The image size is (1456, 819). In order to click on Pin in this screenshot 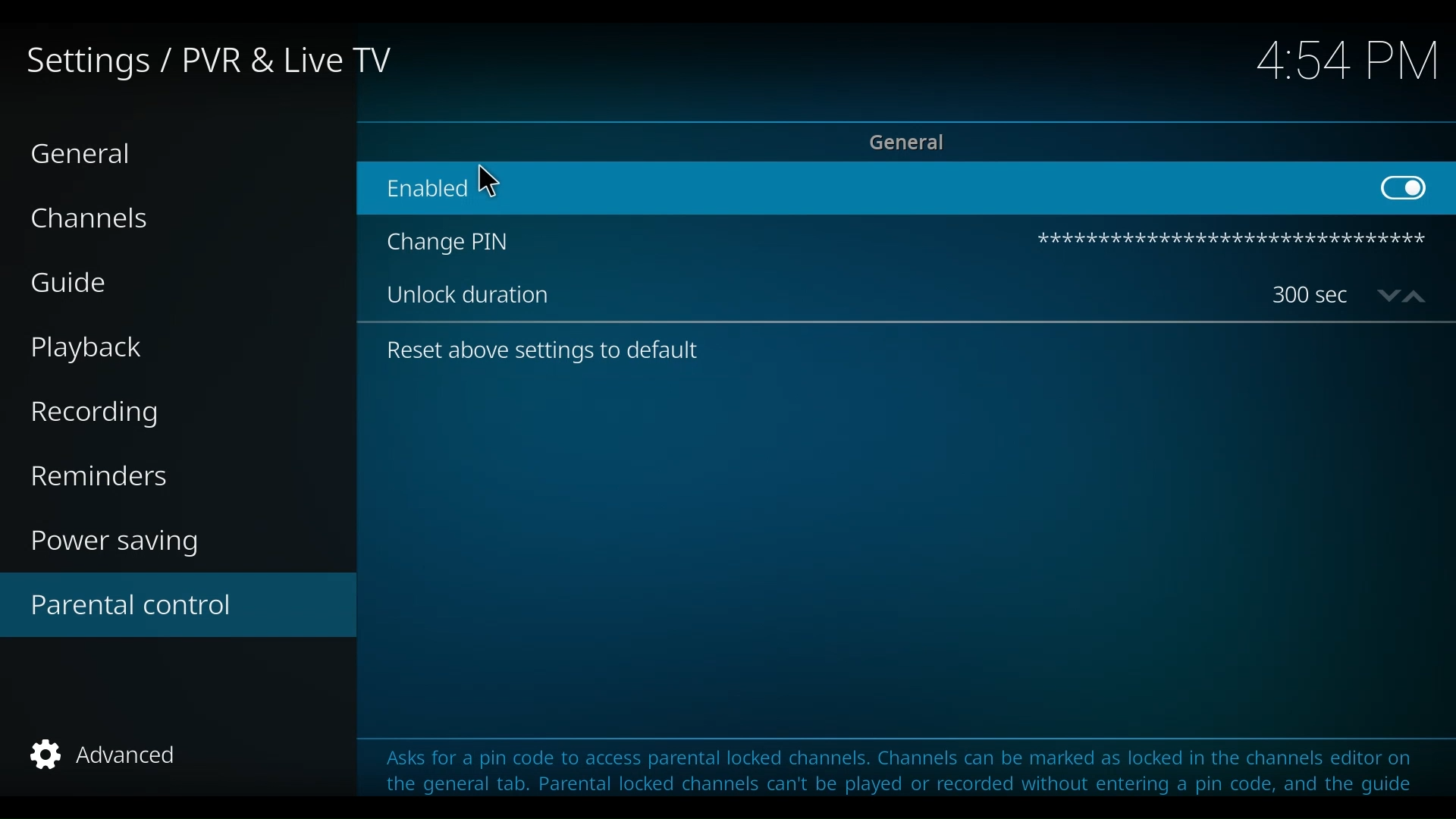, I will do `click(1231, 242)`.